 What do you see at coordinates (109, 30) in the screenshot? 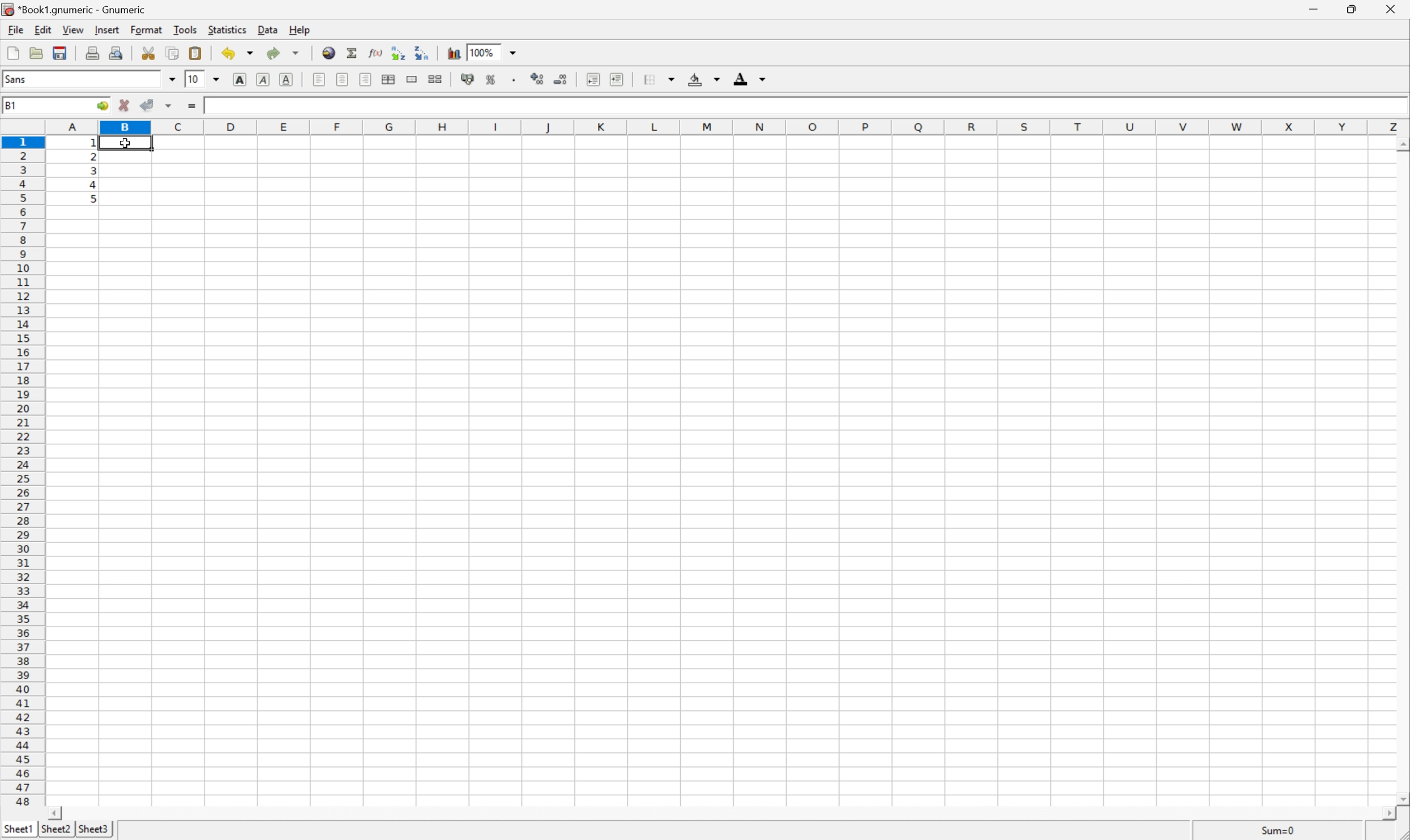
I see `Insert` at bounding box center [109, 30].